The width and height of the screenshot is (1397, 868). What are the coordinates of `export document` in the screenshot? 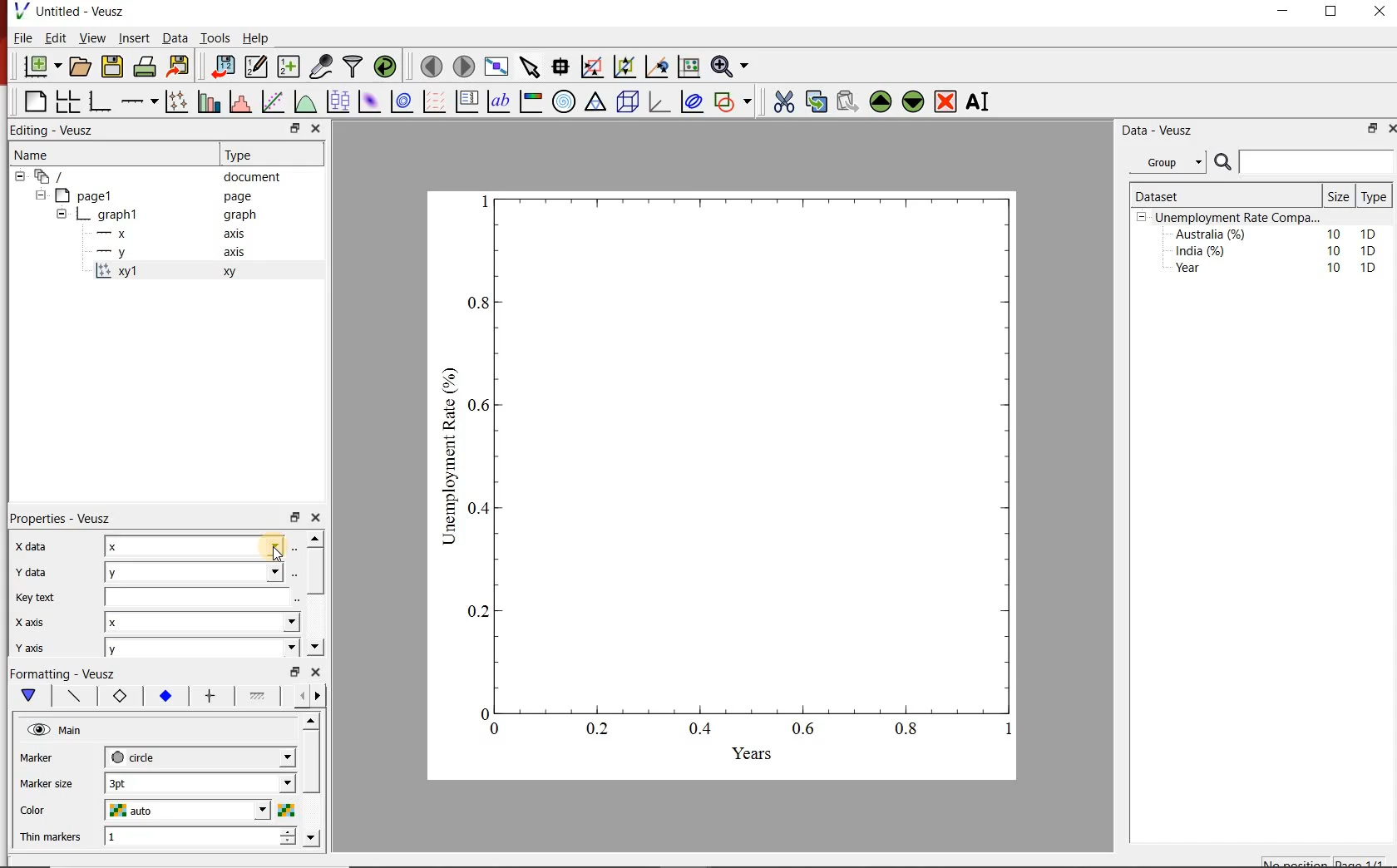 It's located at (180, 65).